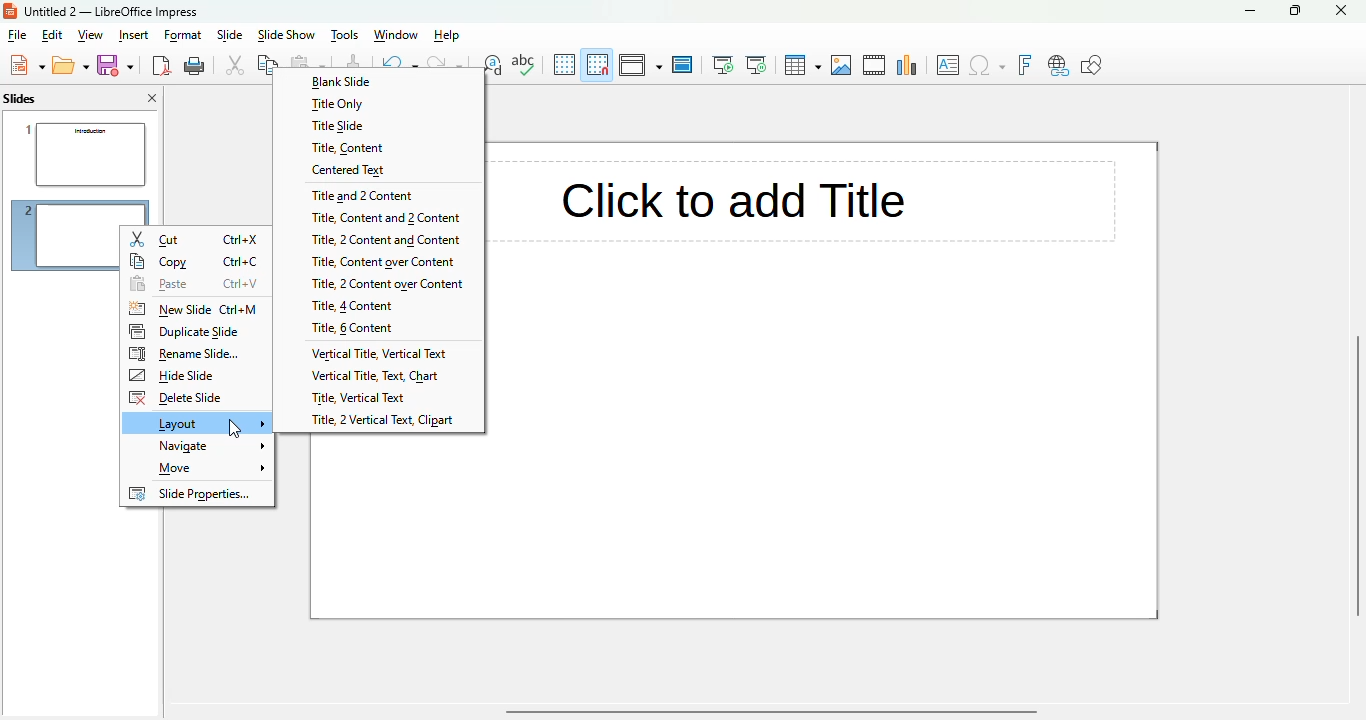 This screenshot has width=1366, height=720. I want to click on close pane, so click(152, 97).